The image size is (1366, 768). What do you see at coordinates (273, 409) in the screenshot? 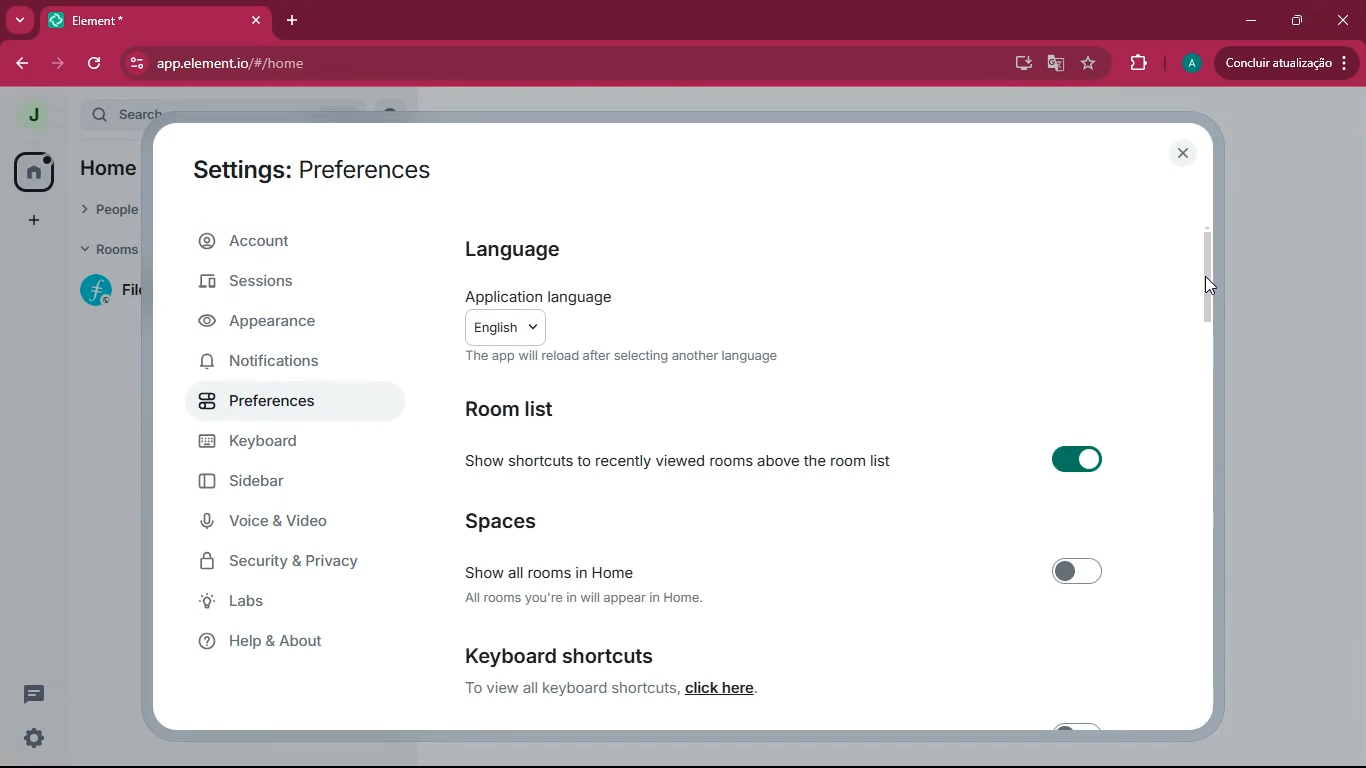
I see `preferences` at bounding box center [273, 409].